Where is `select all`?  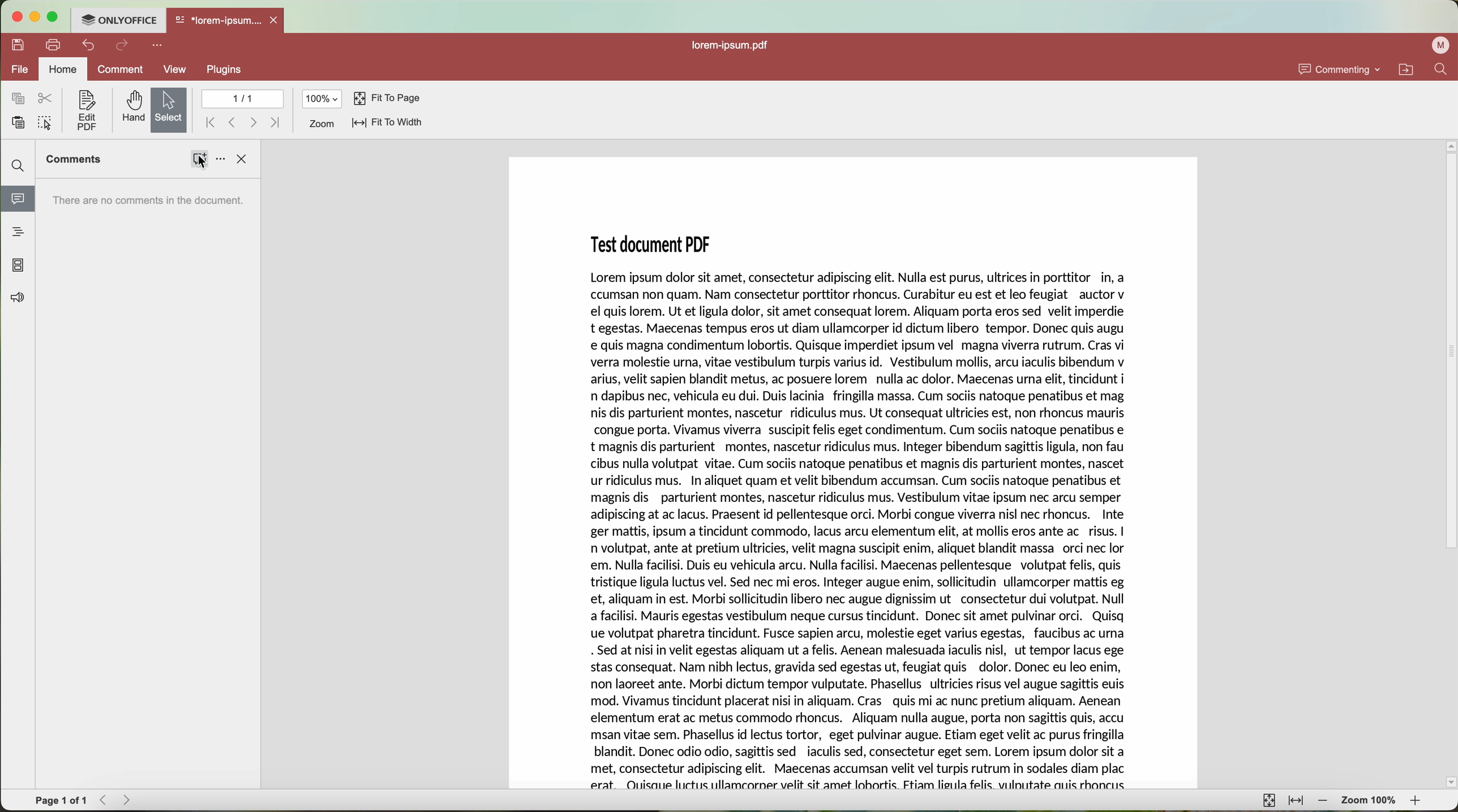 select all is located at coordinates (45, 124).